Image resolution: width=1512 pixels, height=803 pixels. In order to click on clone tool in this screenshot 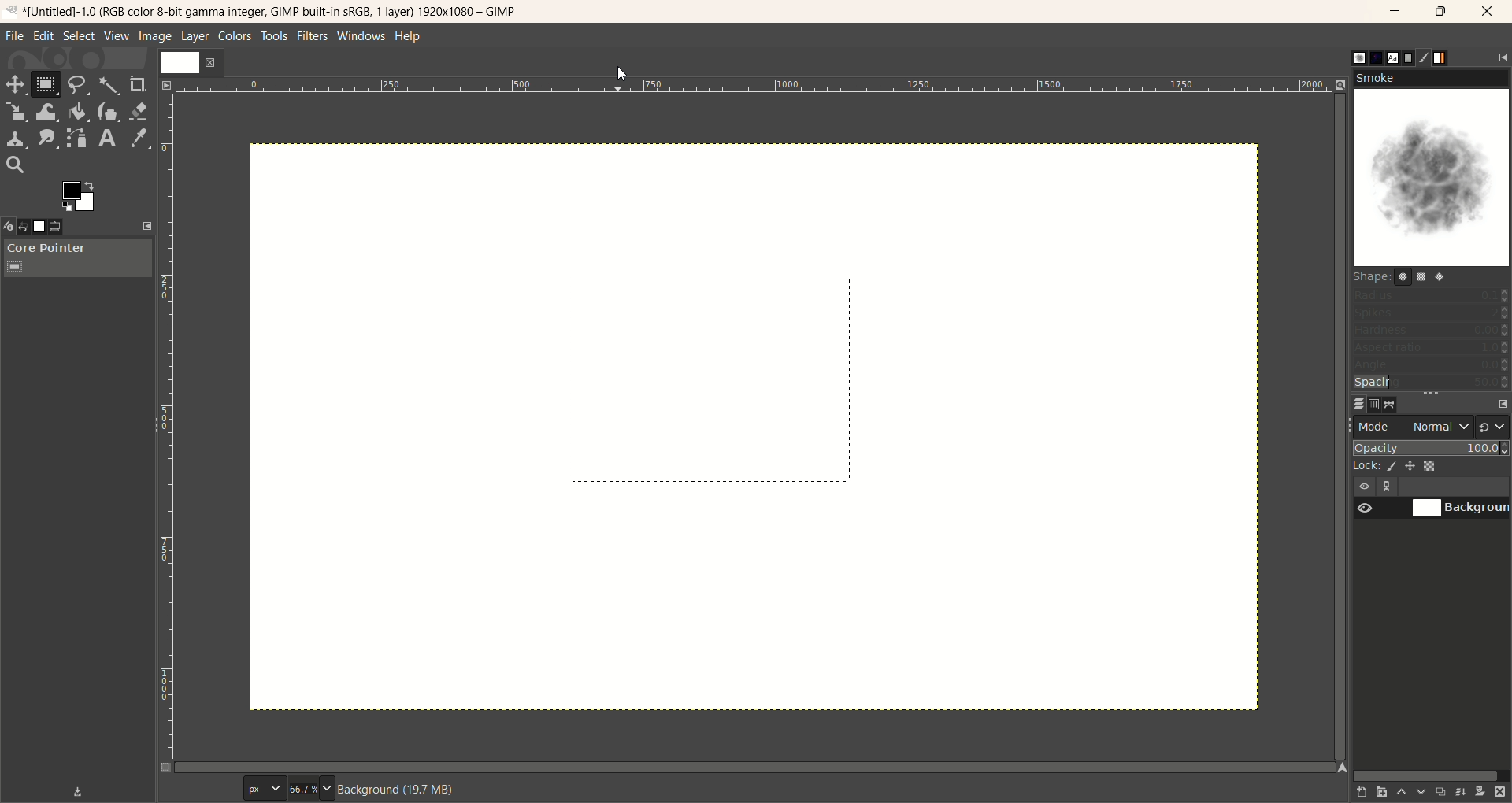, I will do `click(17, 140)`.